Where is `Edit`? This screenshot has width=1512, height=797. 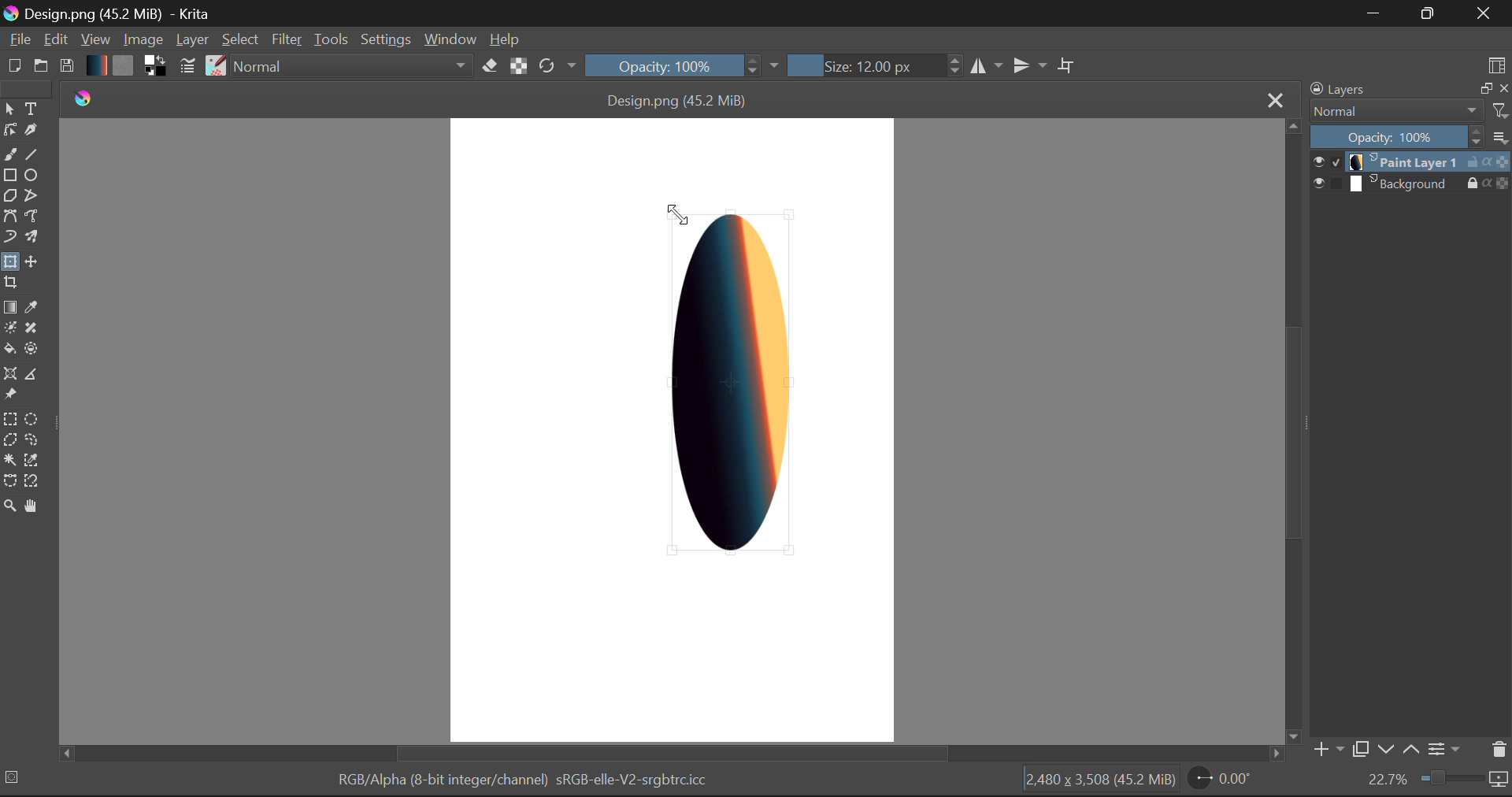
Edit is located at coordinates (55, 39).